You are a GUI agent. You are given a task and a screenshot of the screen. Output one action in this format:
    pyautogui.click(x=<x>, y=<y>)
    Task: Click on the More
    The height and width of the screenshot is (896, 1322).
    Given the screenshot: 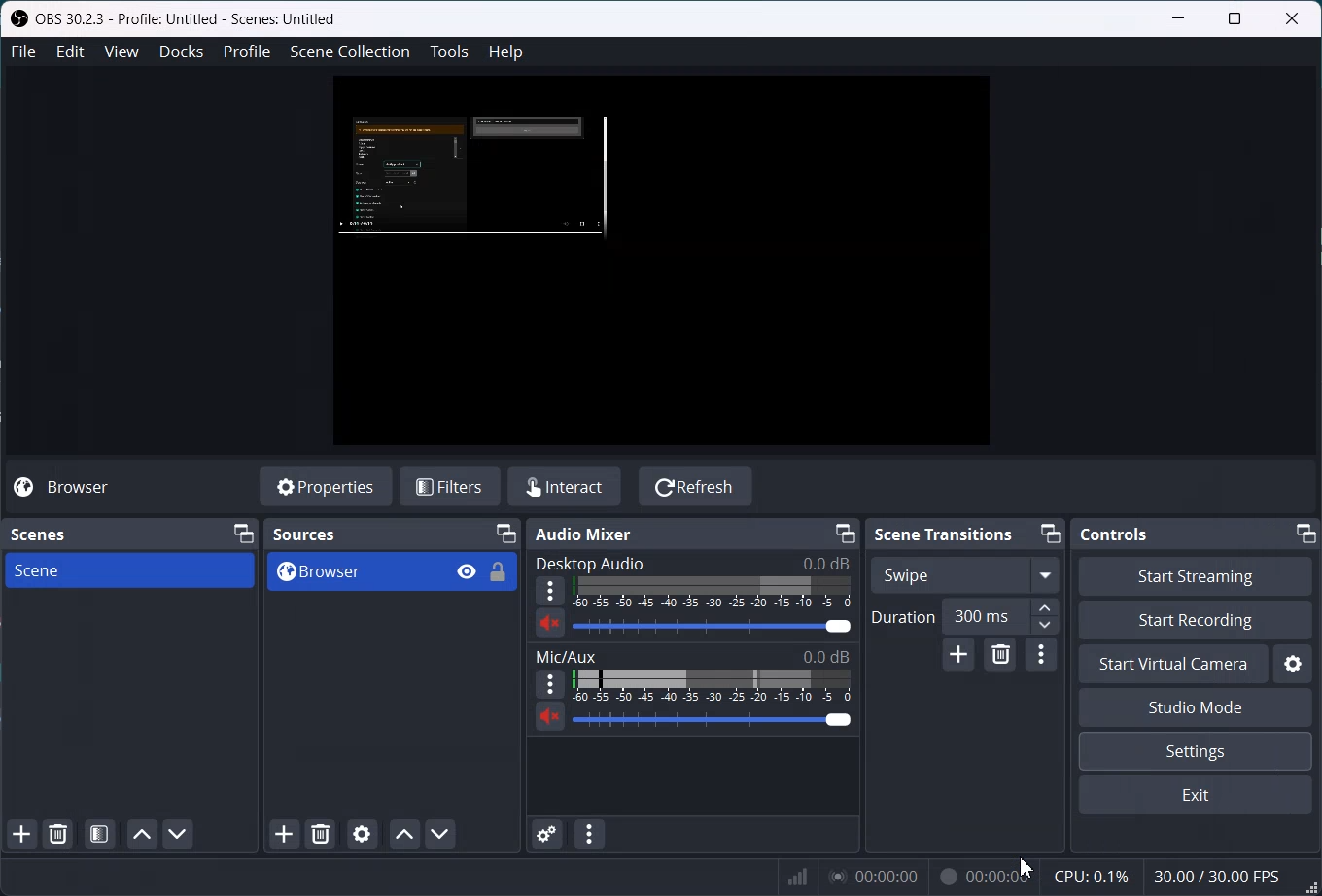 What is the action you would take?
    pyautogui.click(x=550, y=591)
    